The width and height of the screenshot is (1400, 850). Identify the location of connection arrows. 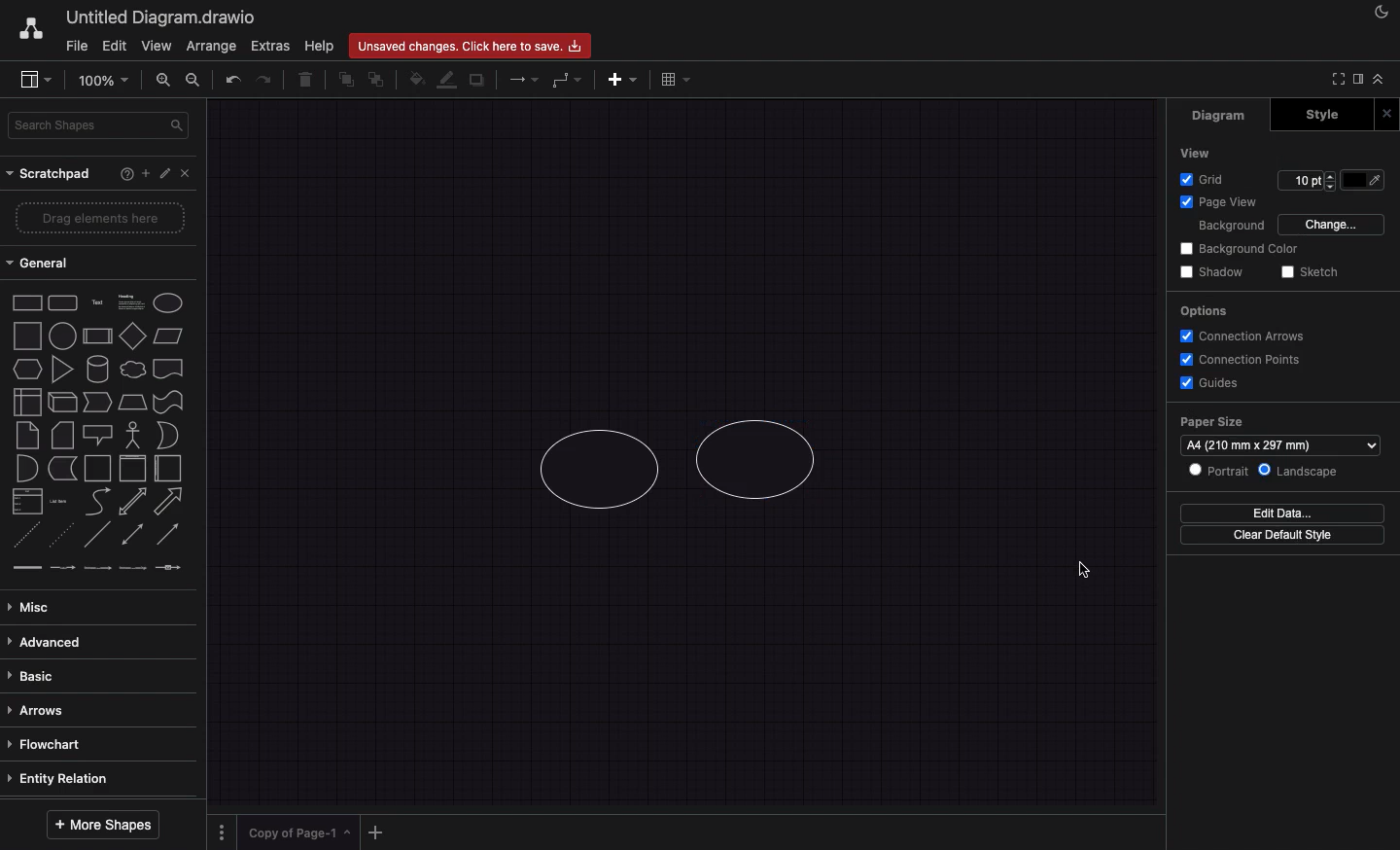
(1241, 336).